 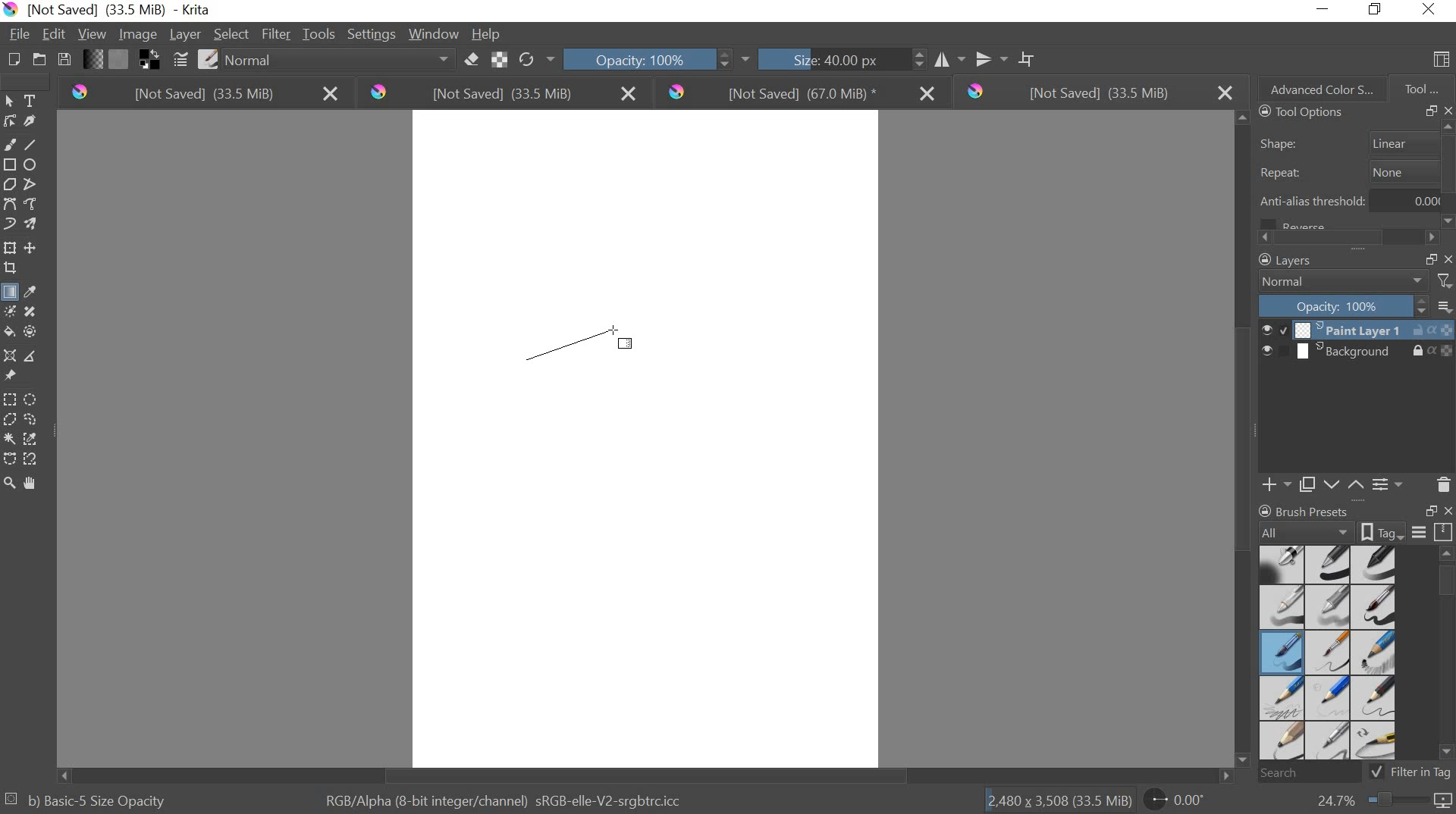 I want to click on polyline, so click(x=35, y=185).